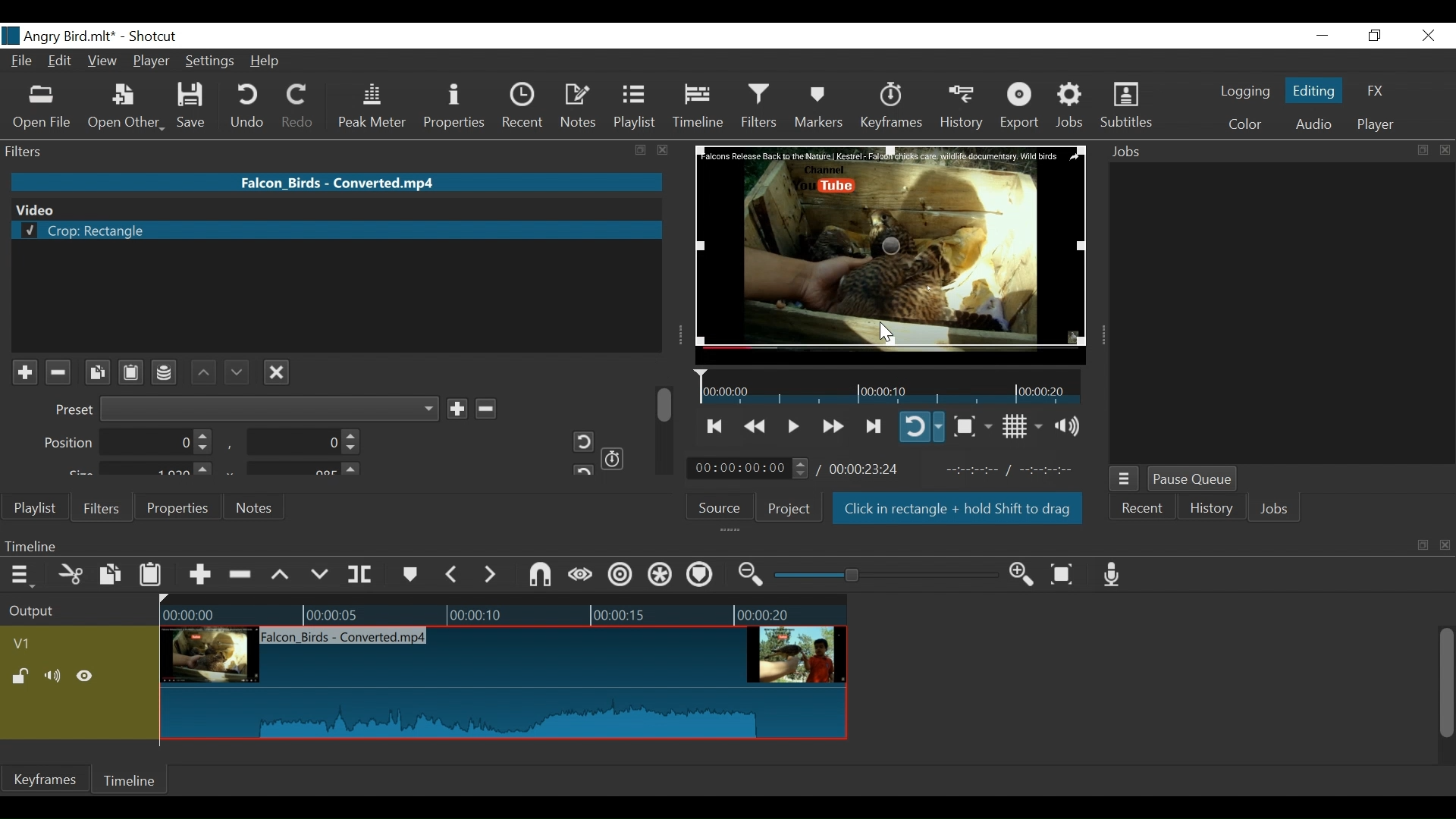 The image size is (1456, 819). I want to click on Editing, so click(1316, 89).